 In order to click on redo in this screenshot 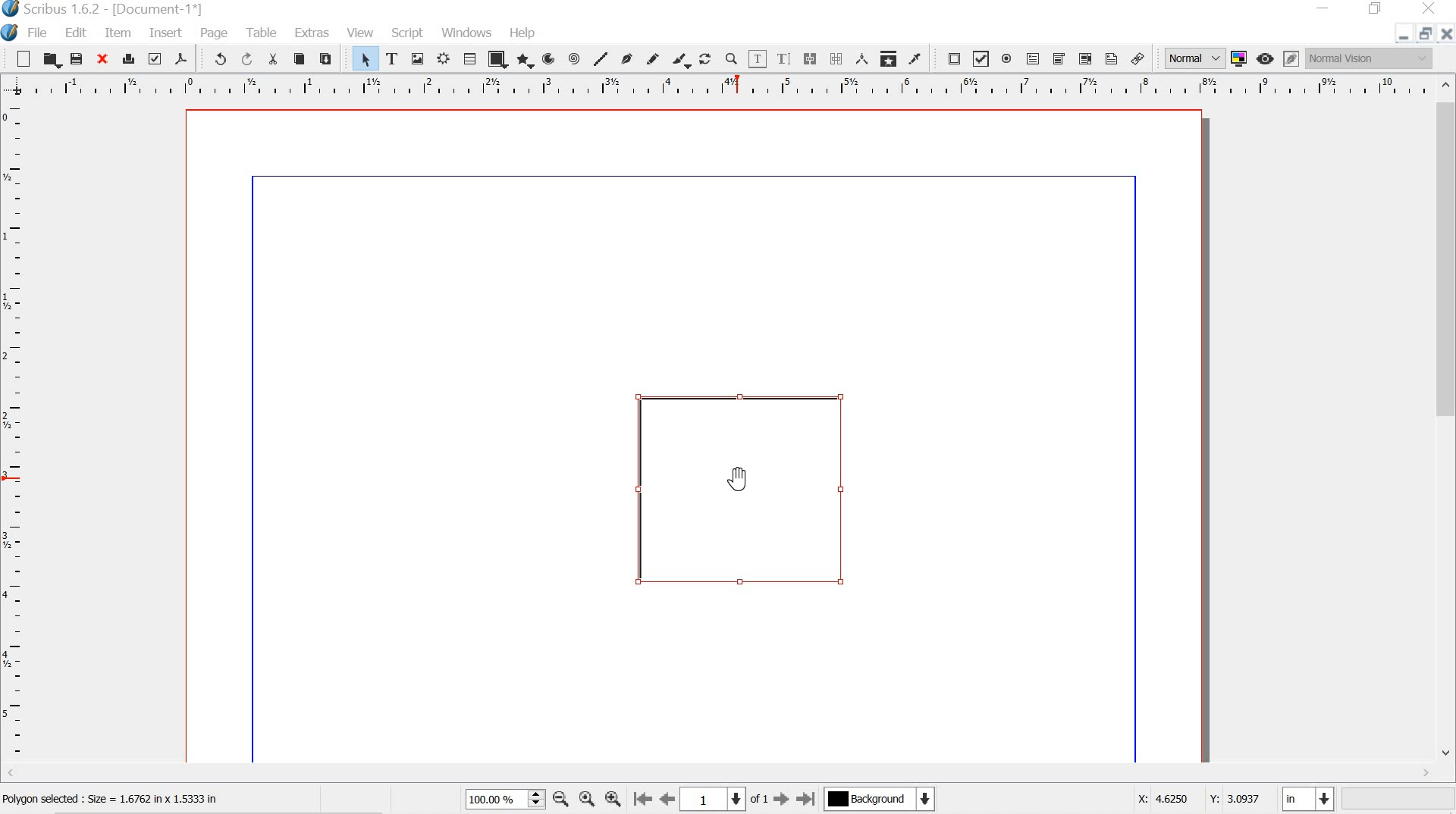, I will do `click(246, 58)`.